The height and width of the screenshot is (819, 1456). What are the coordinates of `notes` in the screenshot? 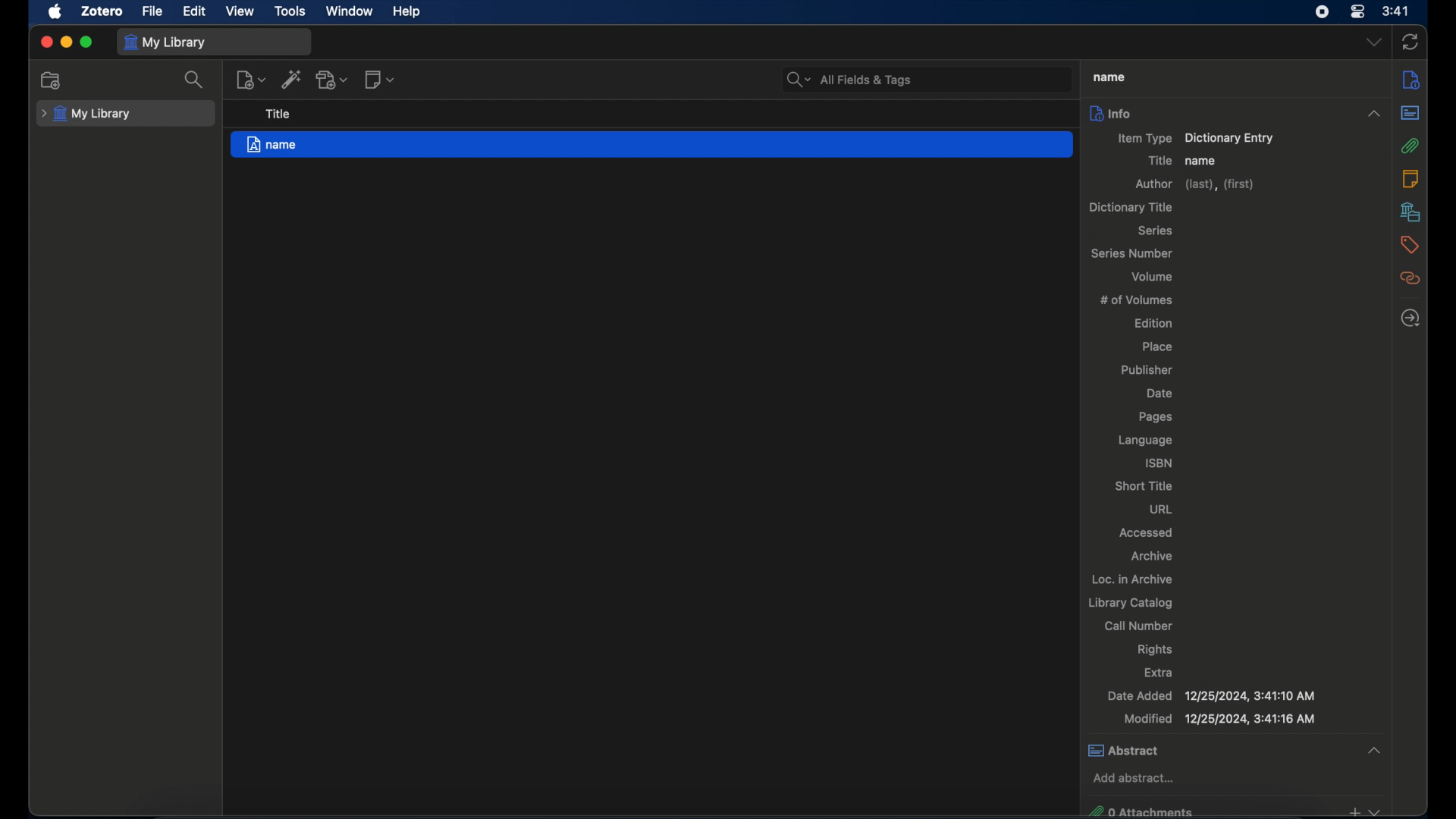 It's located at (1410, 178).